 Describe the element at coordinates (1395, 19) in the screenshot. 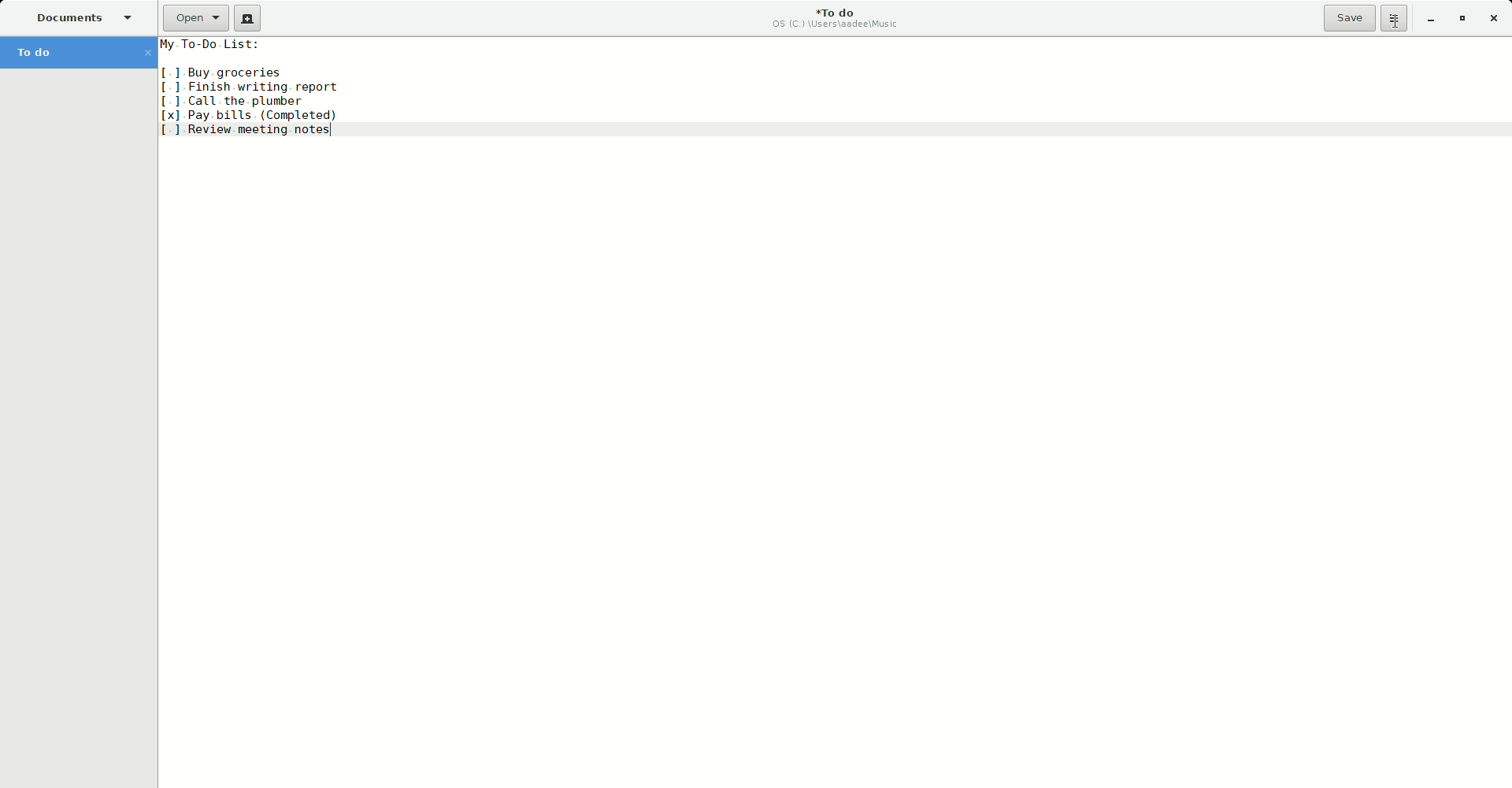

I see `Options` at that location.